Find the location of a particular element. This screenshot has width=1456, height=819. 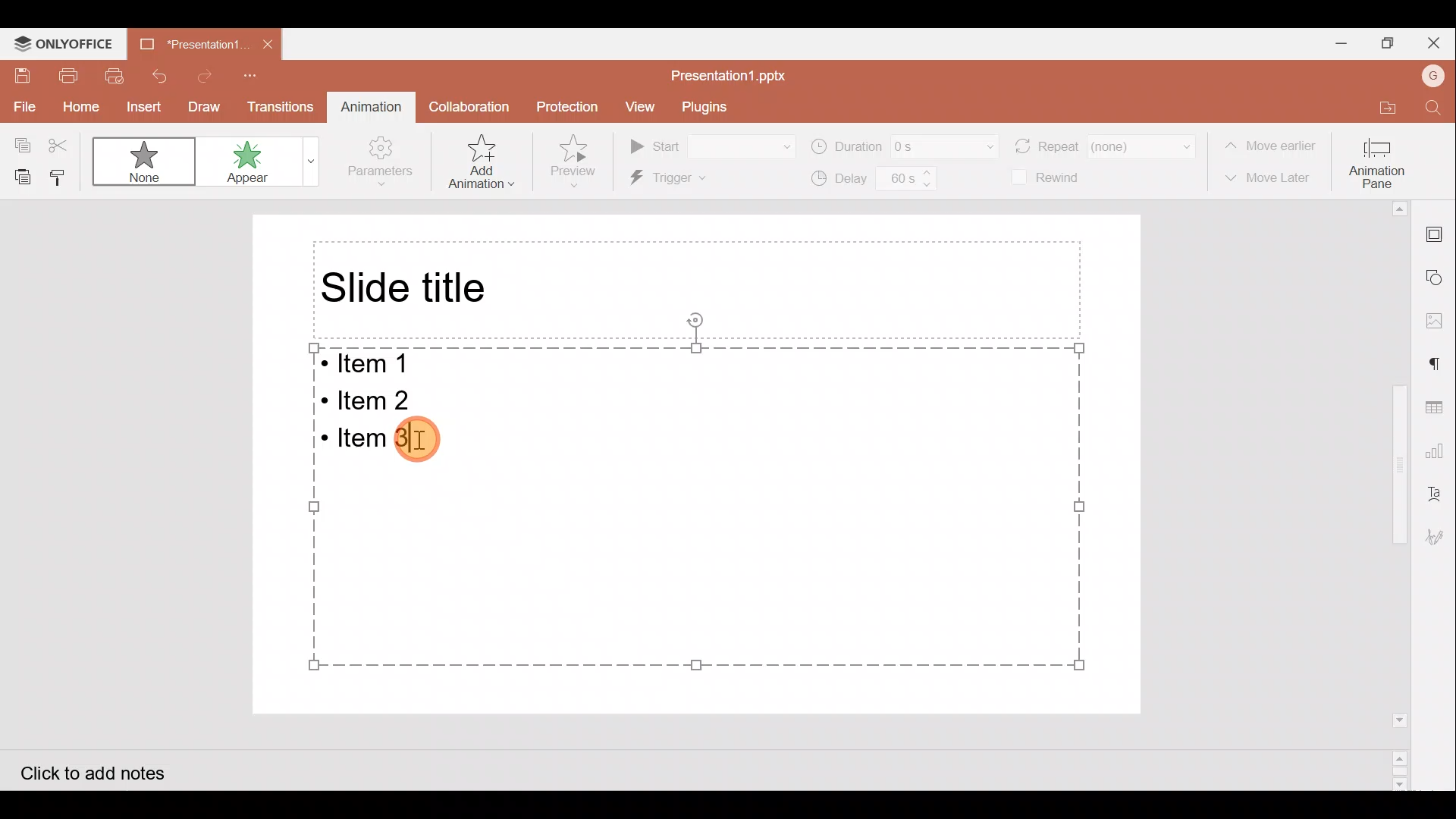

Collaboration is located at coordinates (470, 106).